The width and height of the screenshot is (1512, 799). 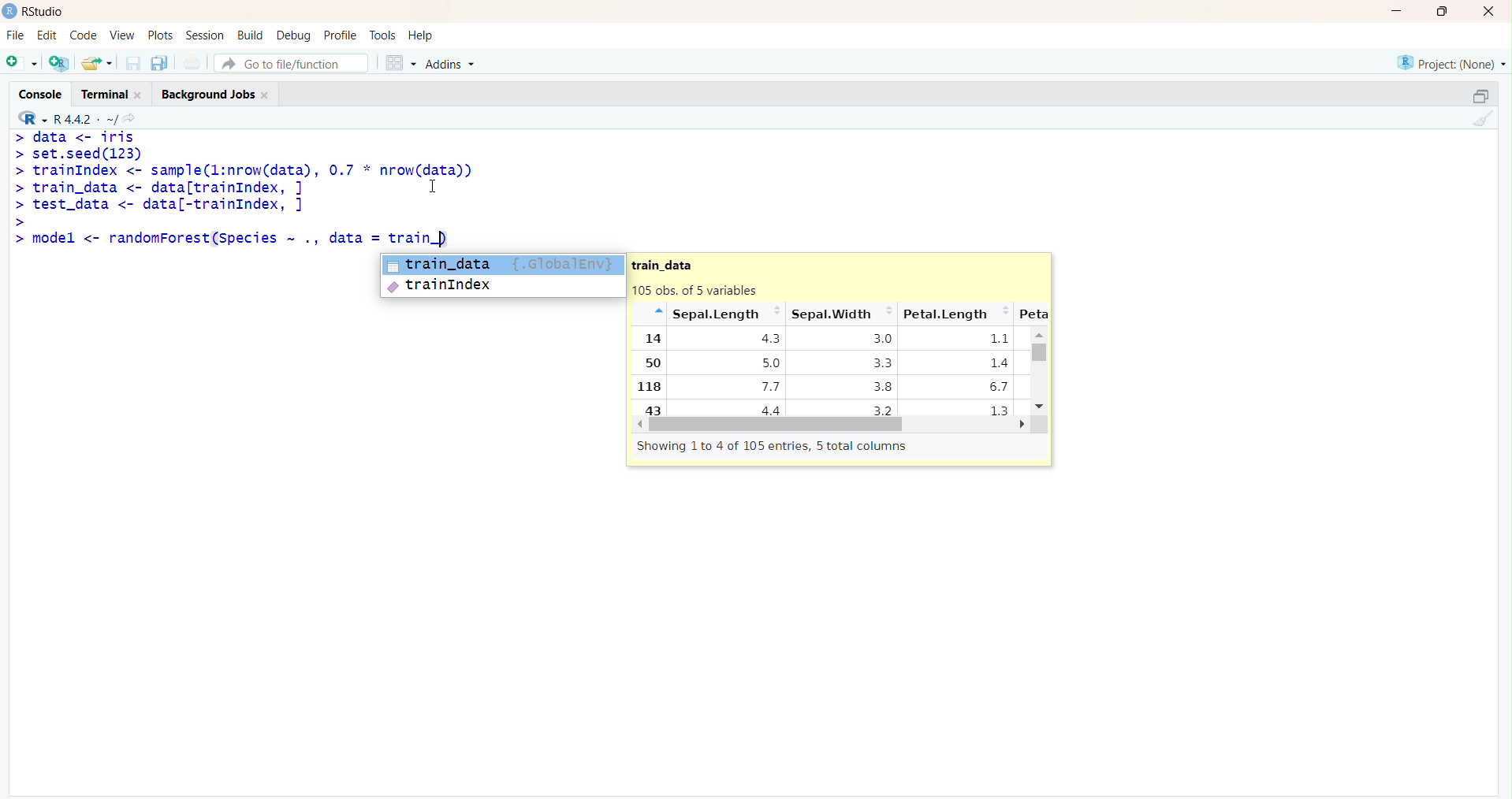 What do you see at coordinates (452, 62) in the screenshot?
I see `Addins` at bounding box center [452, 62].